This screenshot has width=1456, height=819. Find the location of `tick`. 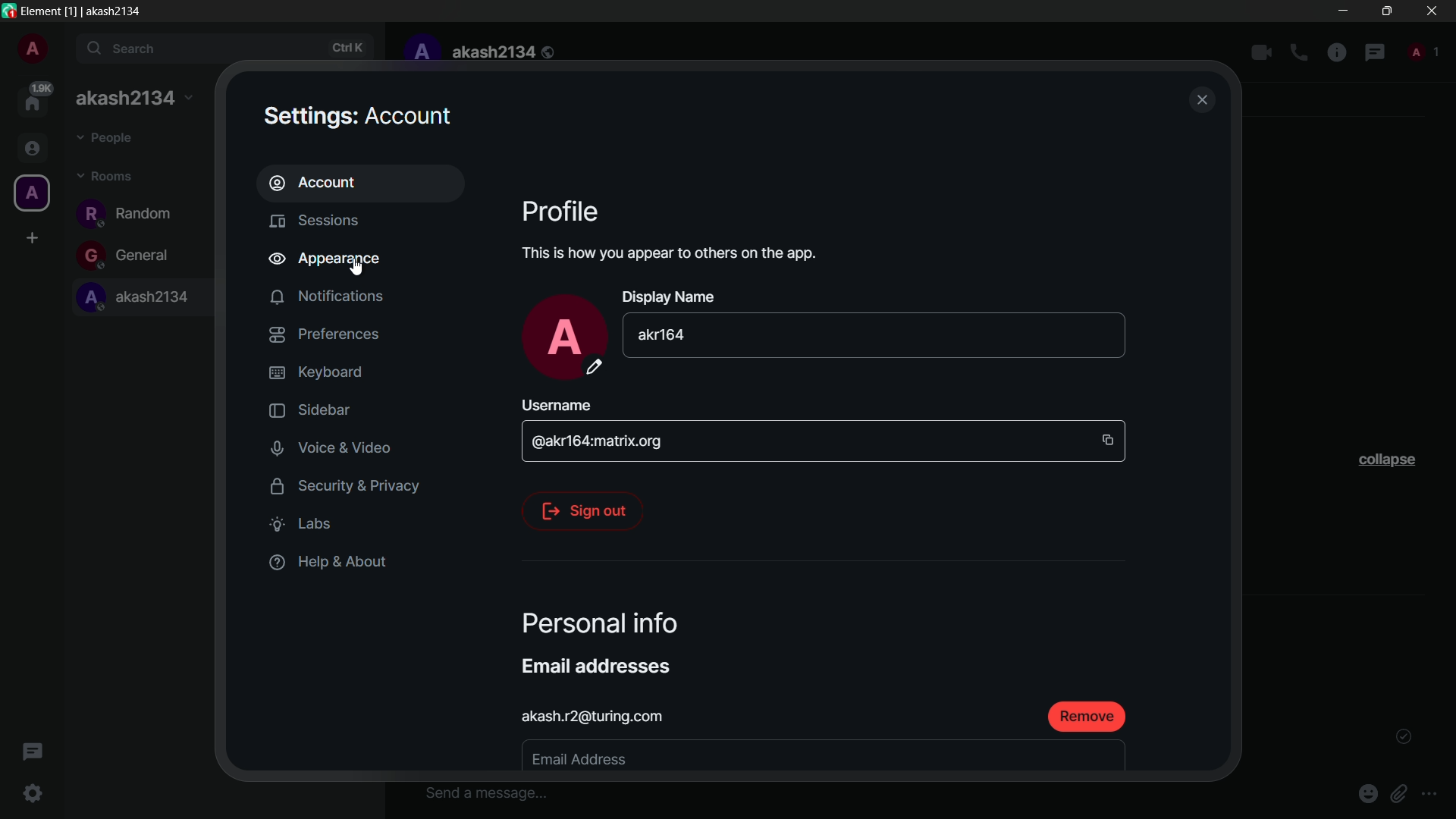

tick is located at coordinates (1404, 737).